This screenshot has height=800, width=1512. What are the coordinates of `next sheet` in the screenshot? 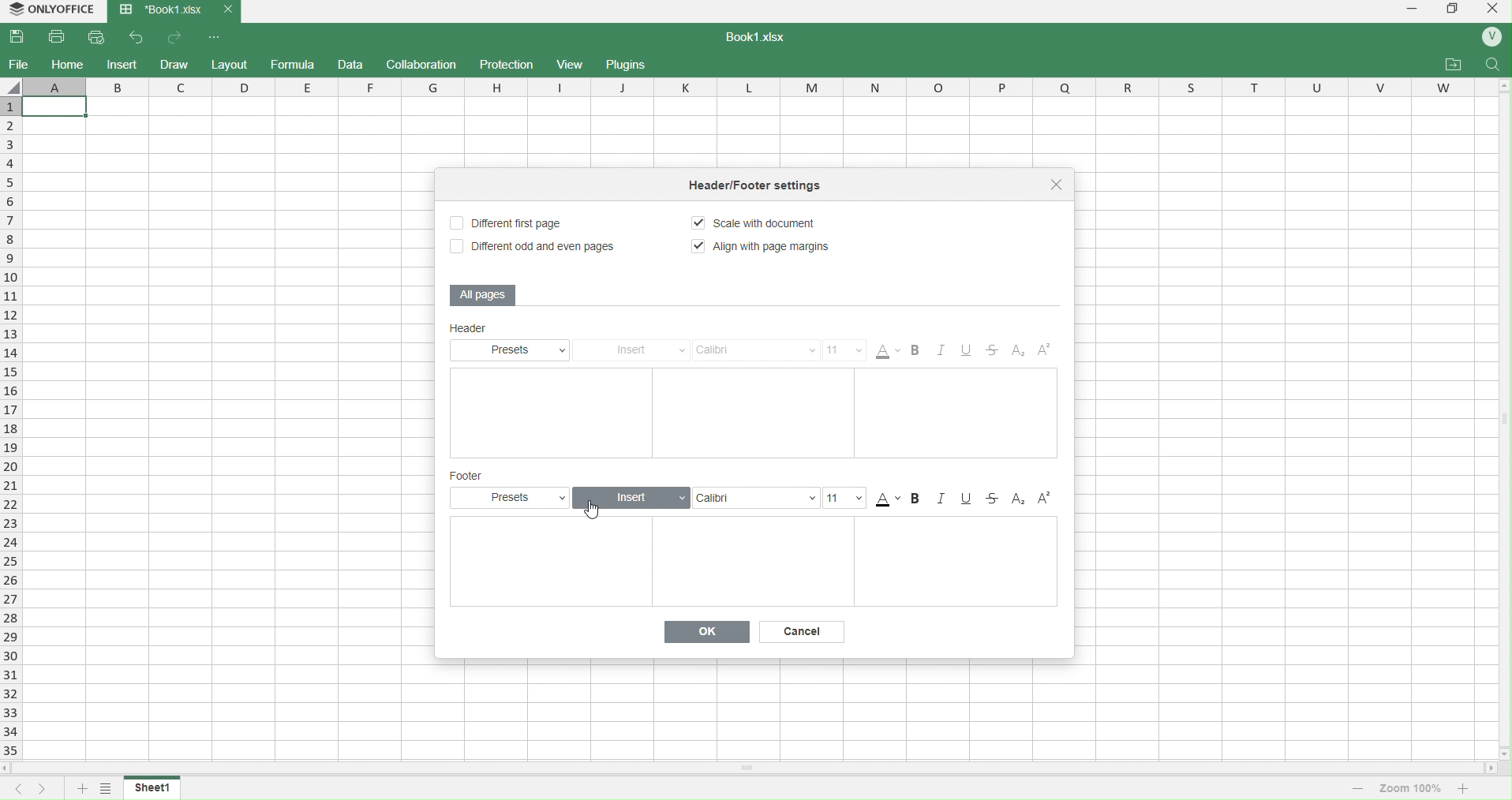 It's located at (39, 789).